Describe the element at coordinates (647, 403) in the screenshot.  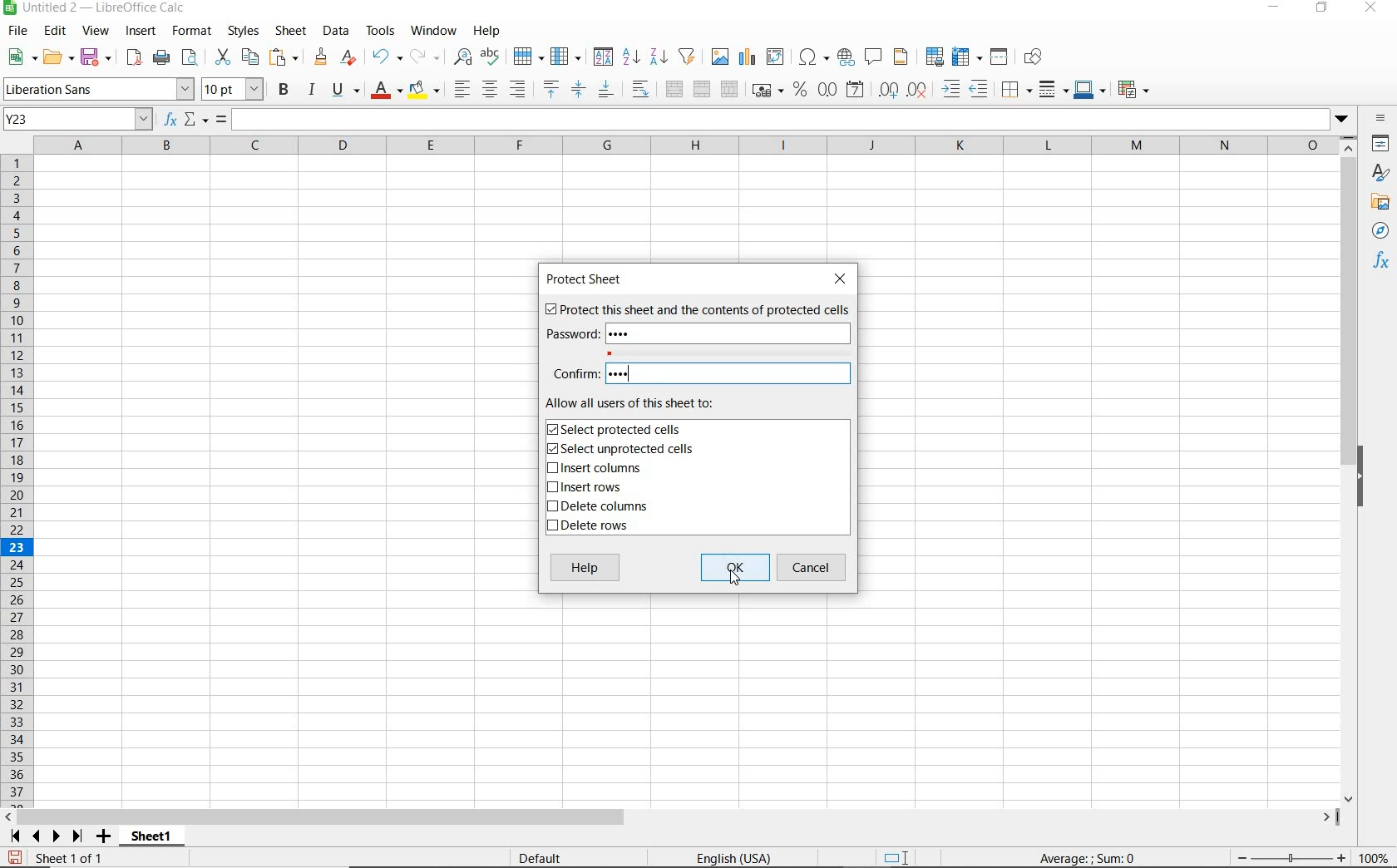
I see `ALLOW ALL USERS OF THIS SHEET TO:` at that location.